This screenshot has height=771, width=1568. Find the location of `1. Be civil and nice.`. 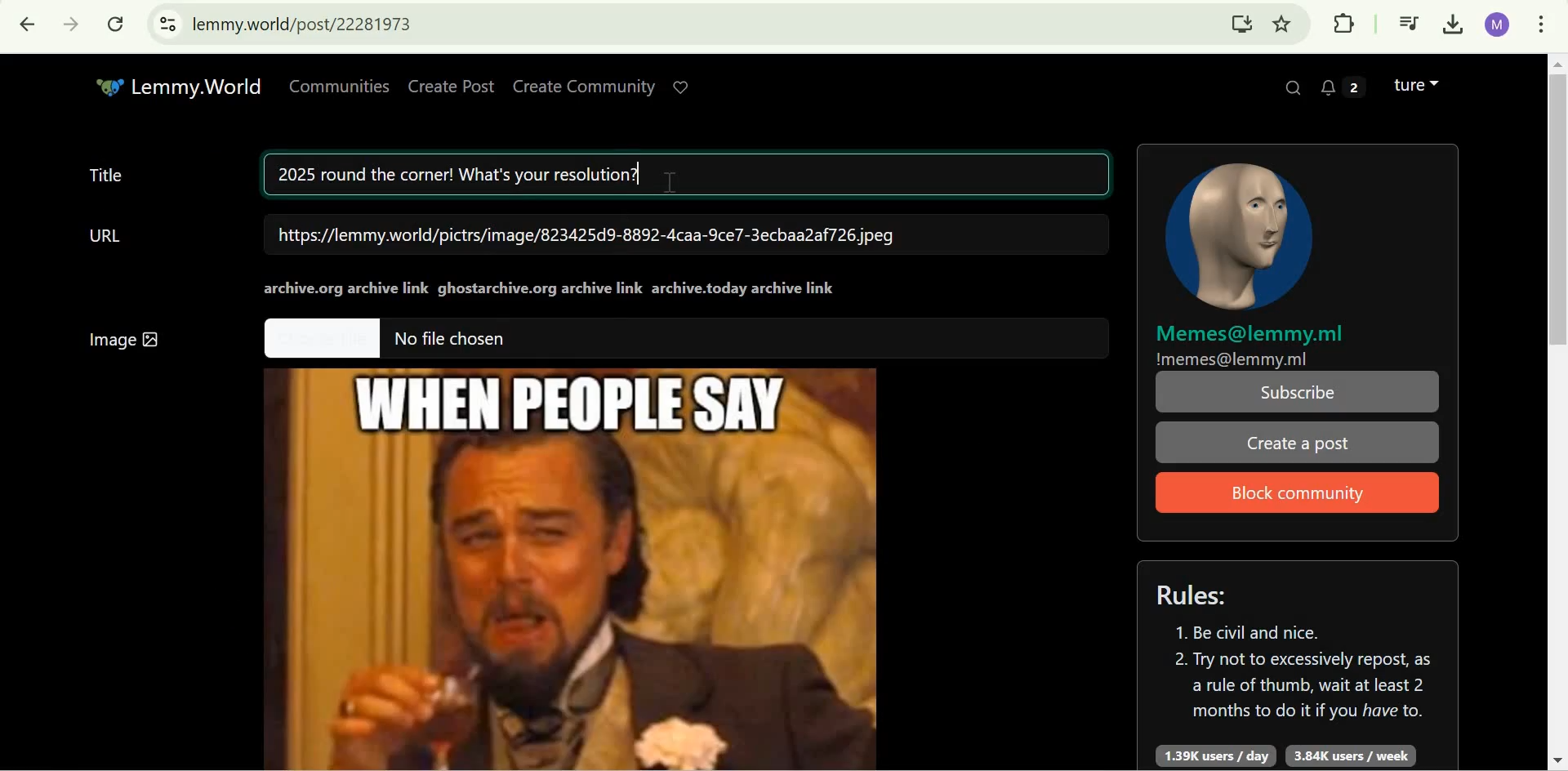

1. Be civil and nice. is located at coordinates (1258, 633).